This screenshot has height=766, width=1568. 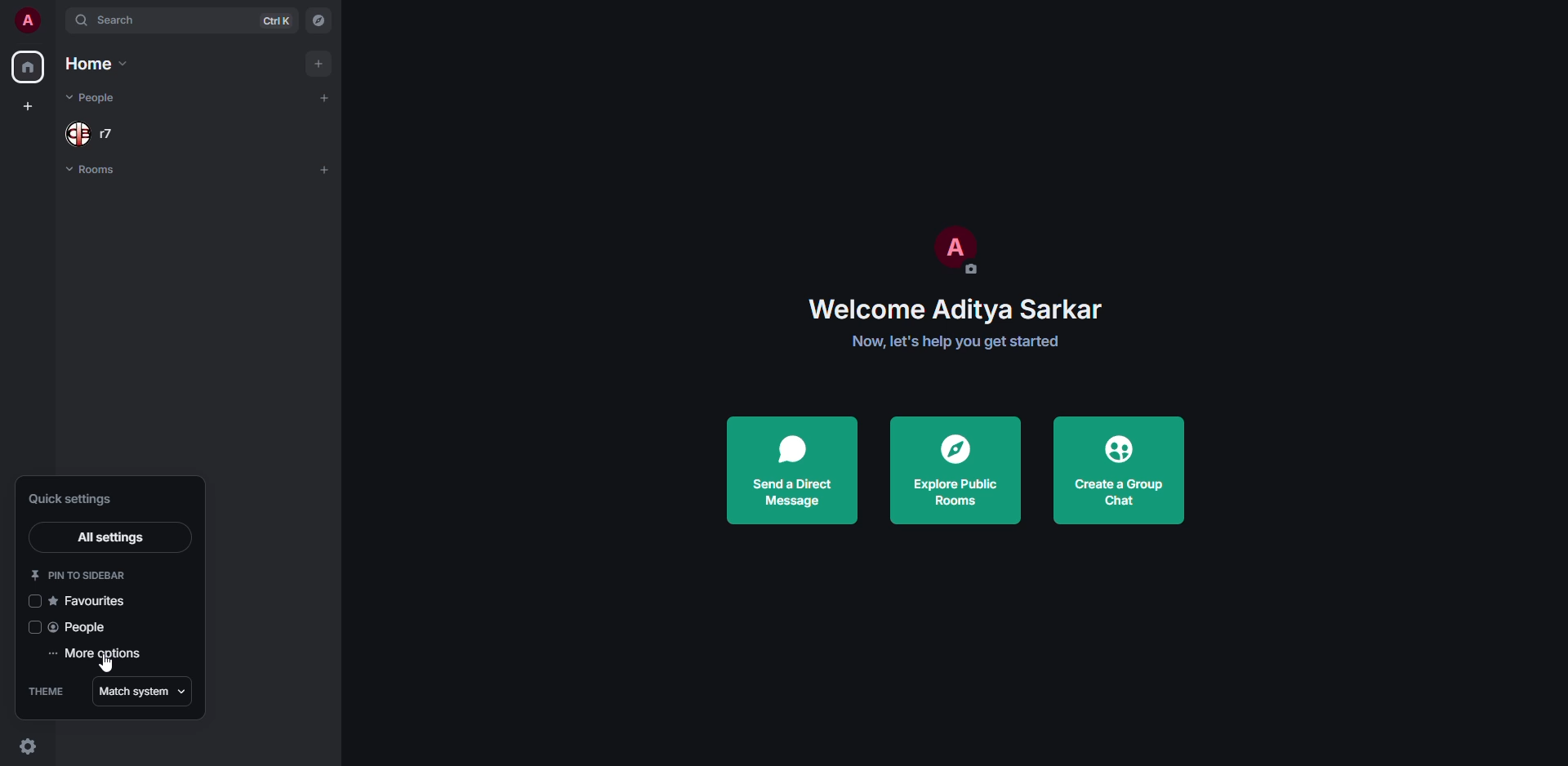 What do you see at coordinates (33, 601) in the screenshot?
I see `click to enable` at bounding box center [33, 601].